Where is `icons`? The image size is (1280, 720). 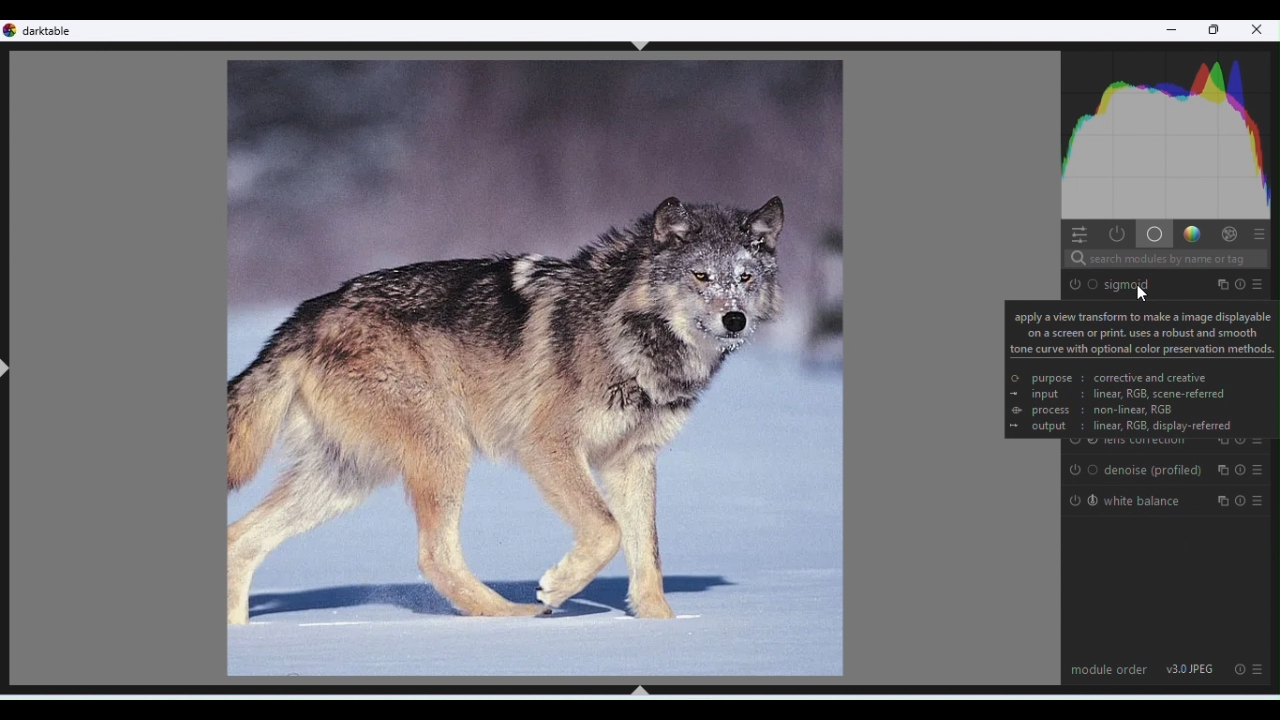
icons is located at coordinates (1015, 401).